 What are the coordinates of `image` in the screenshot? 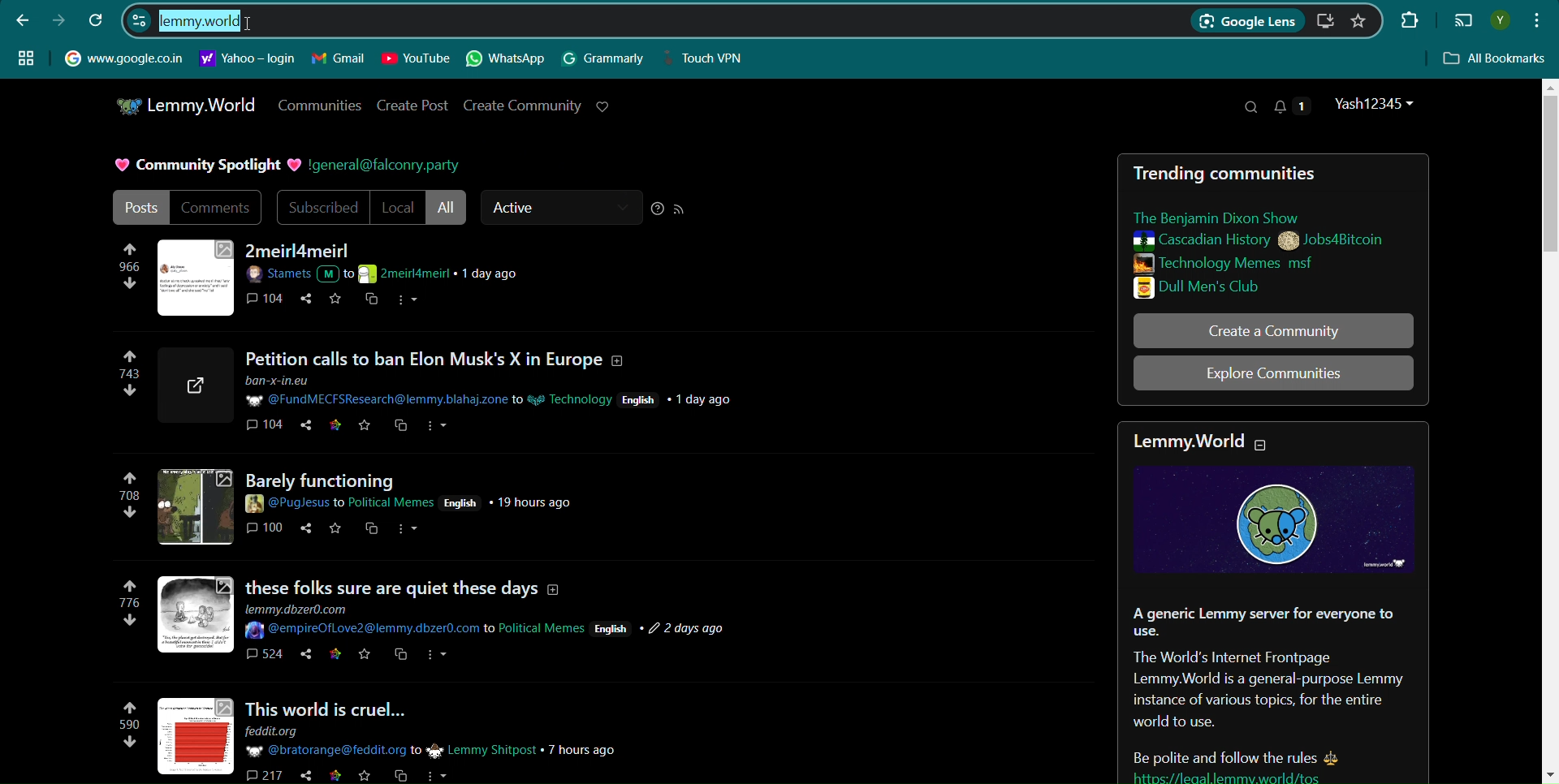 It's located at (197, 614).